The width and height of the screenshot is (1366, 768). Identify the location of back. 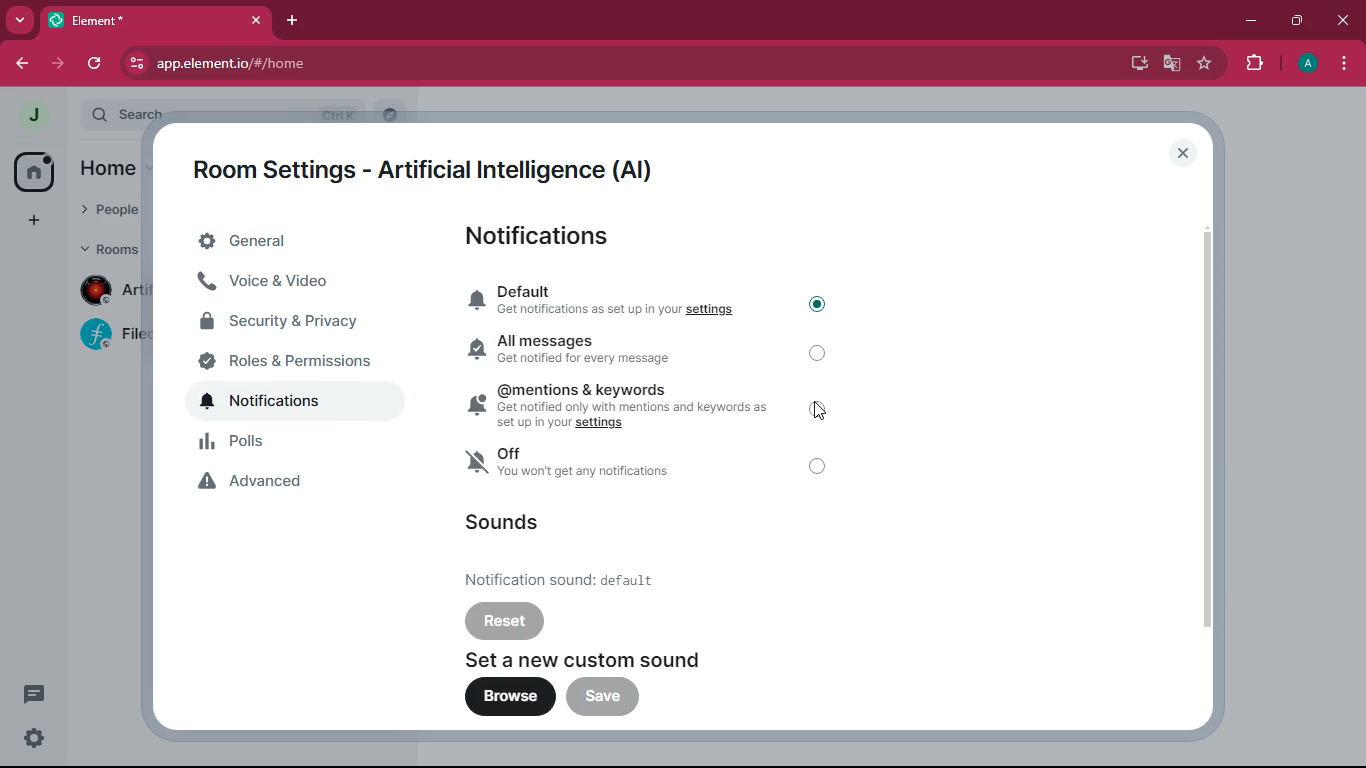
(23, 66).